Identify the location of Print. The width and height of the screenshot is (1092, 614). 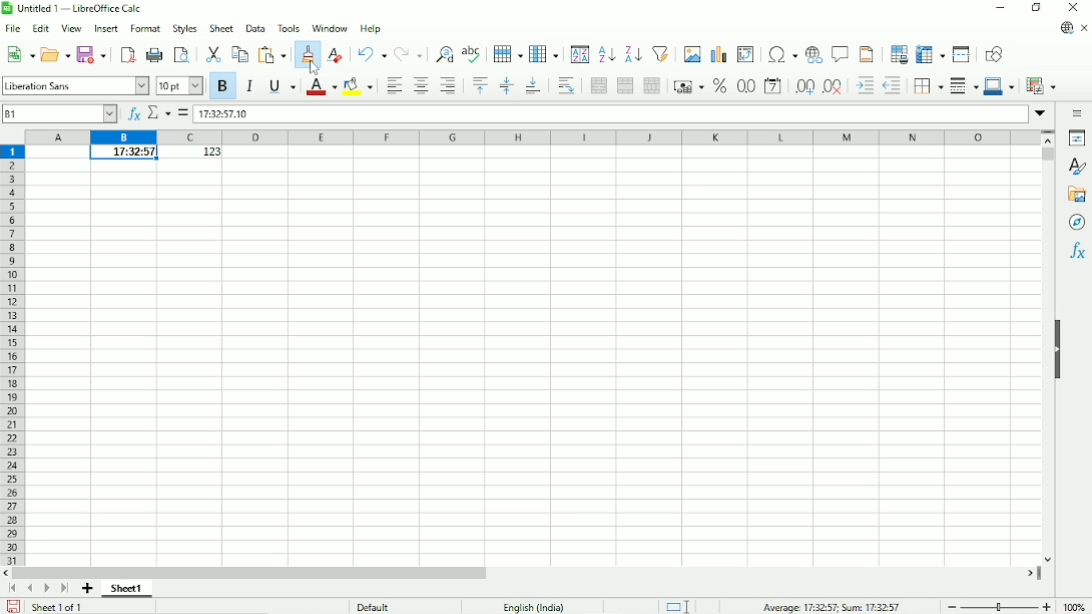
(155, 54).